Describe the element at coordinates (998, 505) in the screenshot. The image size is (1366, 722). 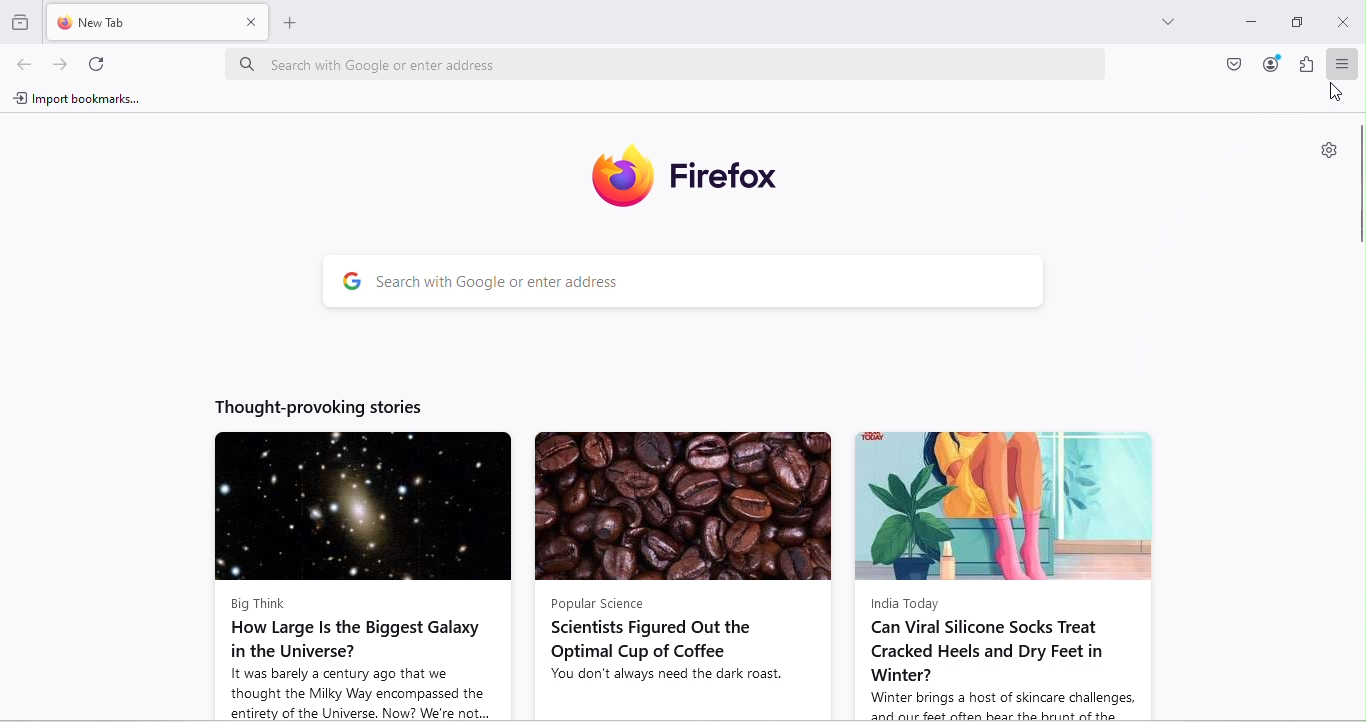
I see `Image` at that location.